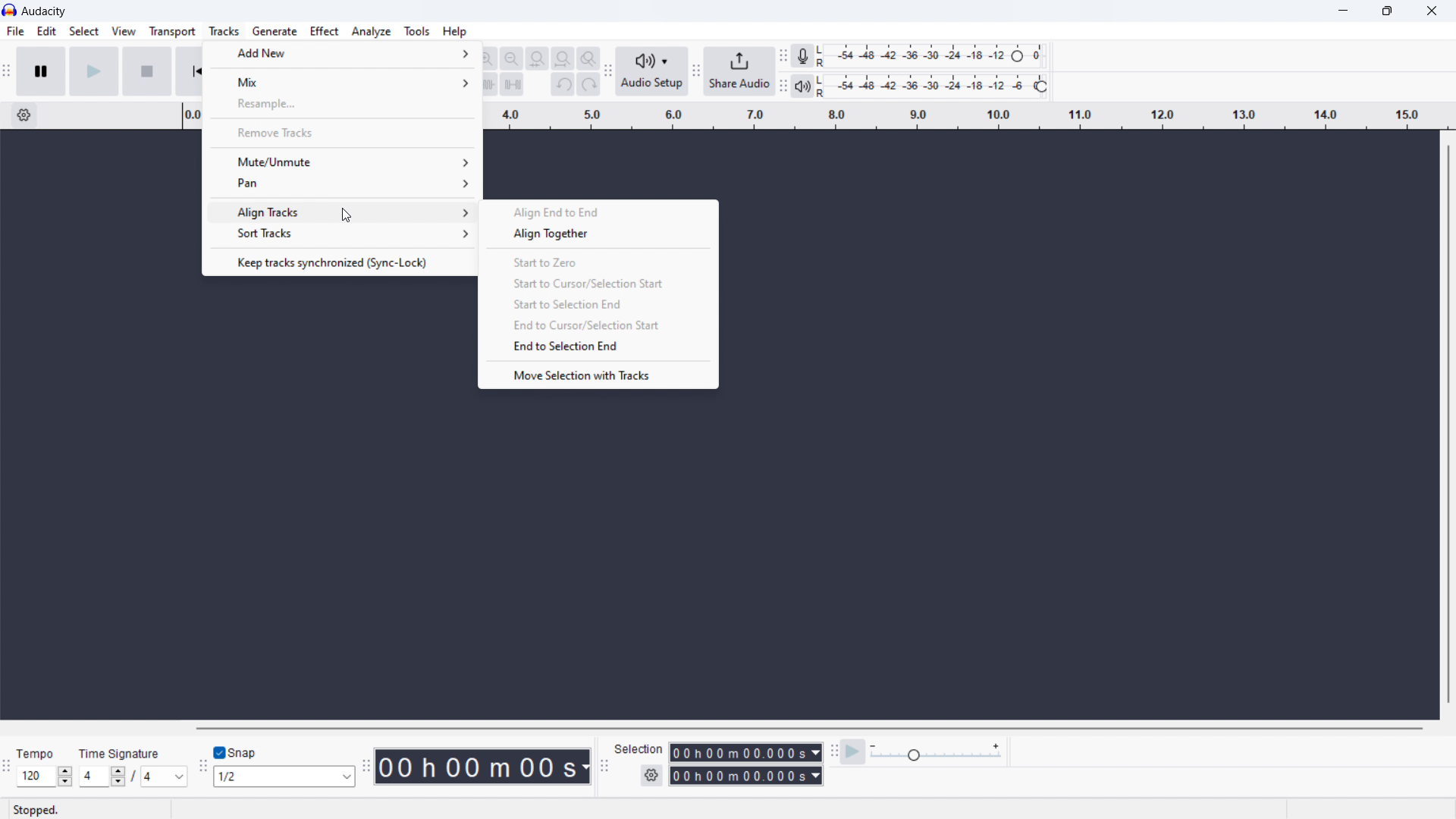 The width and height of the screenshot is (1456, 819). Describe the element at coordinates (23, 115) in the screenshot. I see `settings` at that location.